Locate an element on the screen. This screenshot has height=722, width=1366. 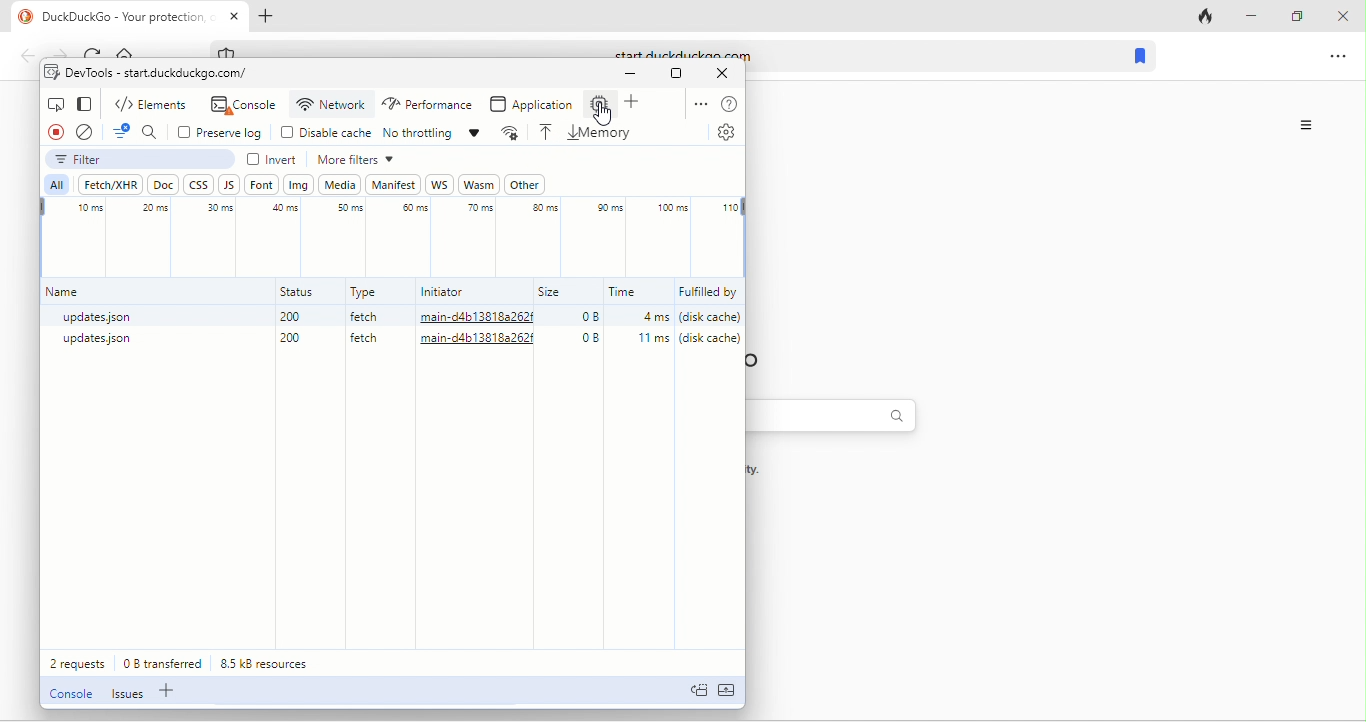
expand is located at coordinates (730, 697).